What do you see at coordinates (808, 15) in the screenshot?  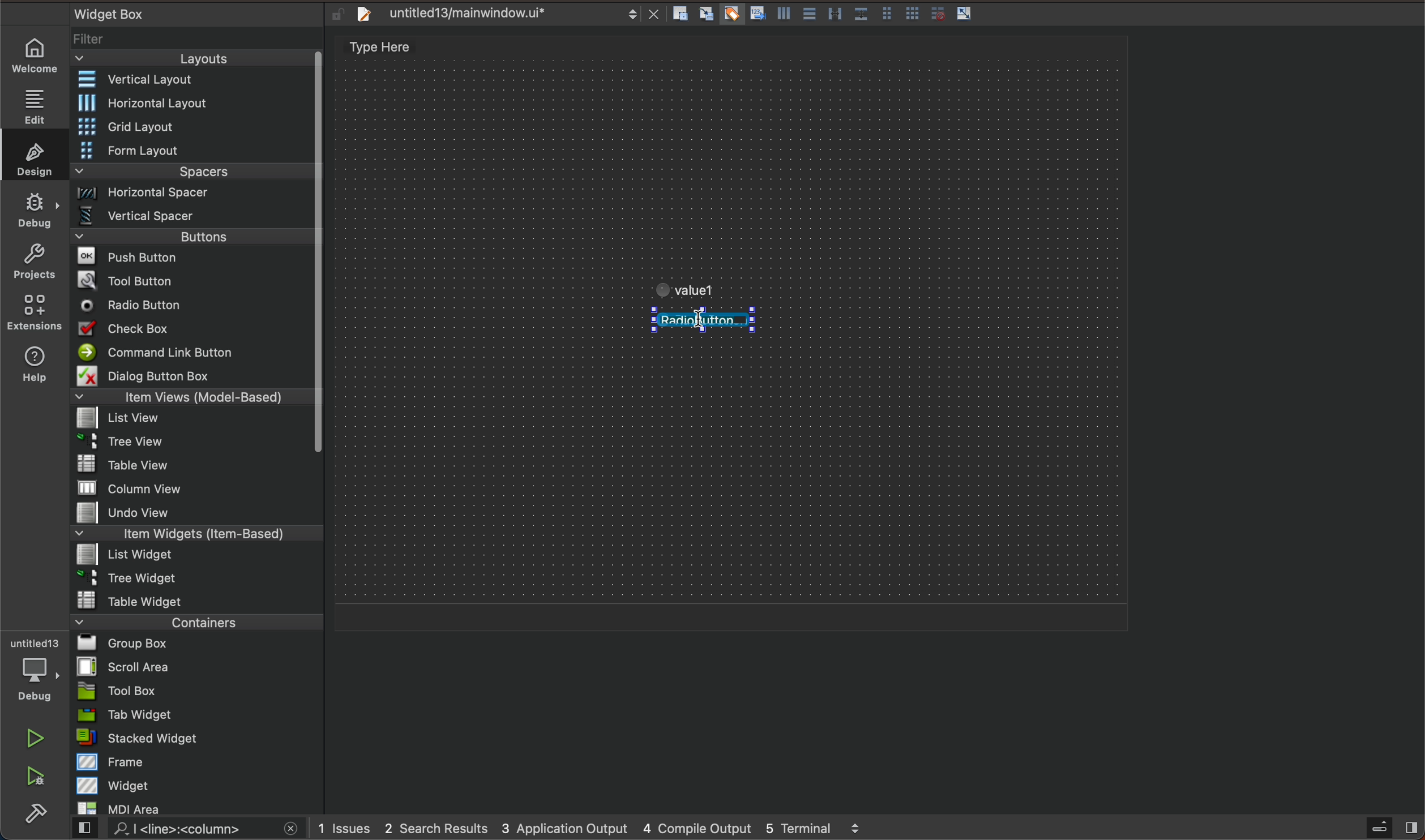 I see `` at bounding box center [808, 15].